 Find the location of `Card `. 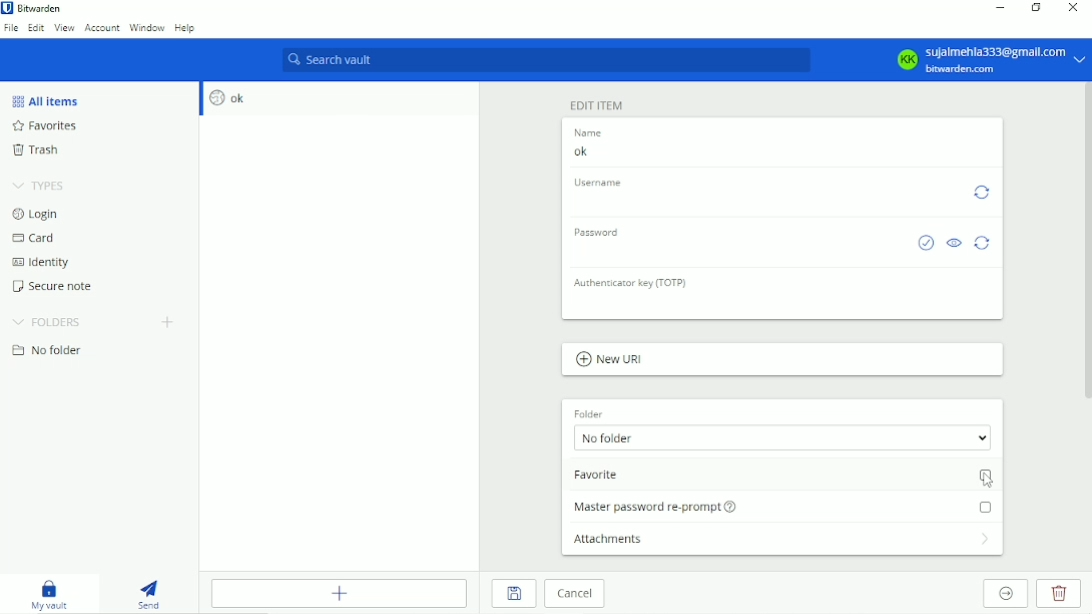

Card  is located at coordinates (36, 238).